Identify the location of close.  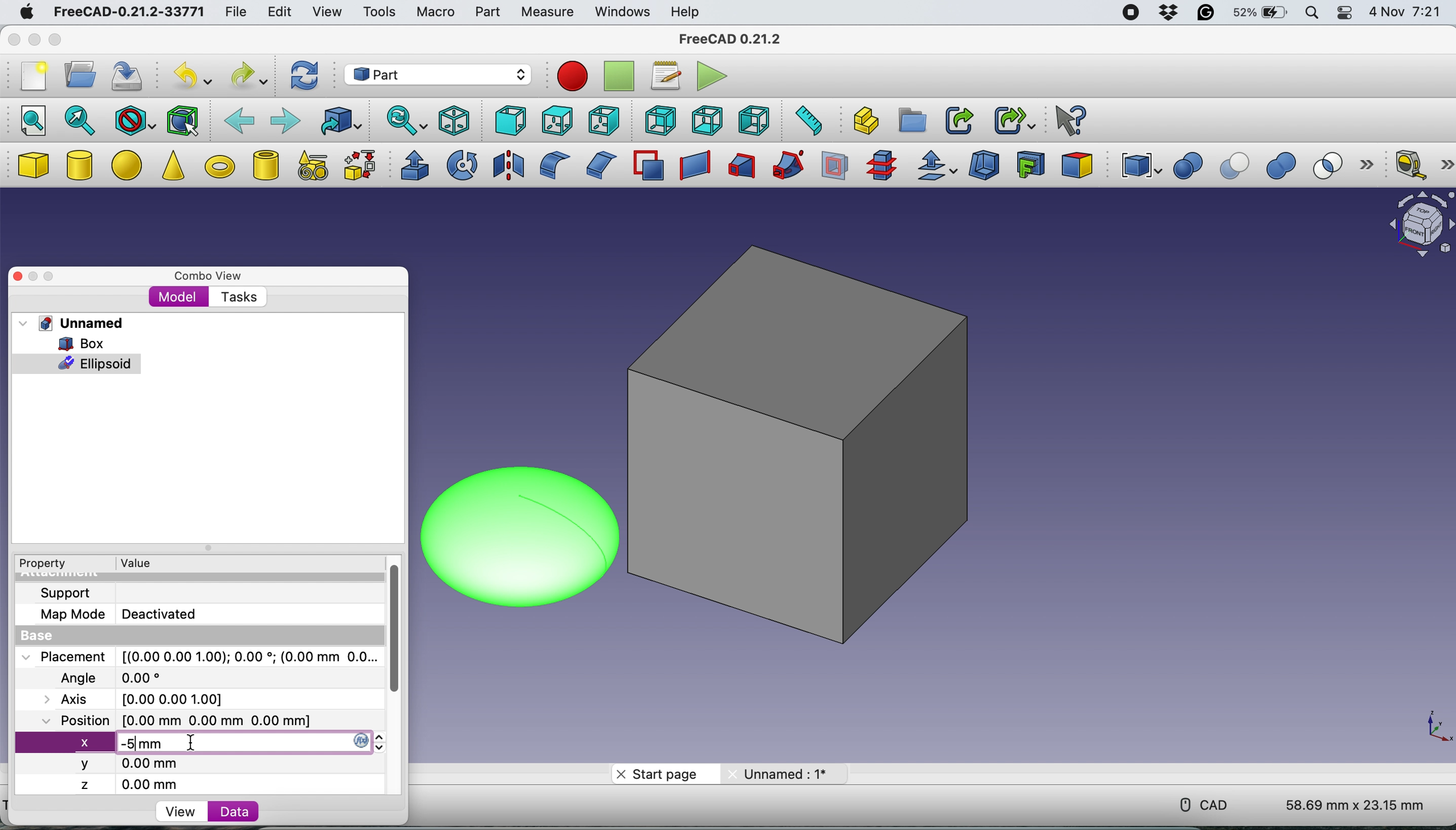
(12, 40).